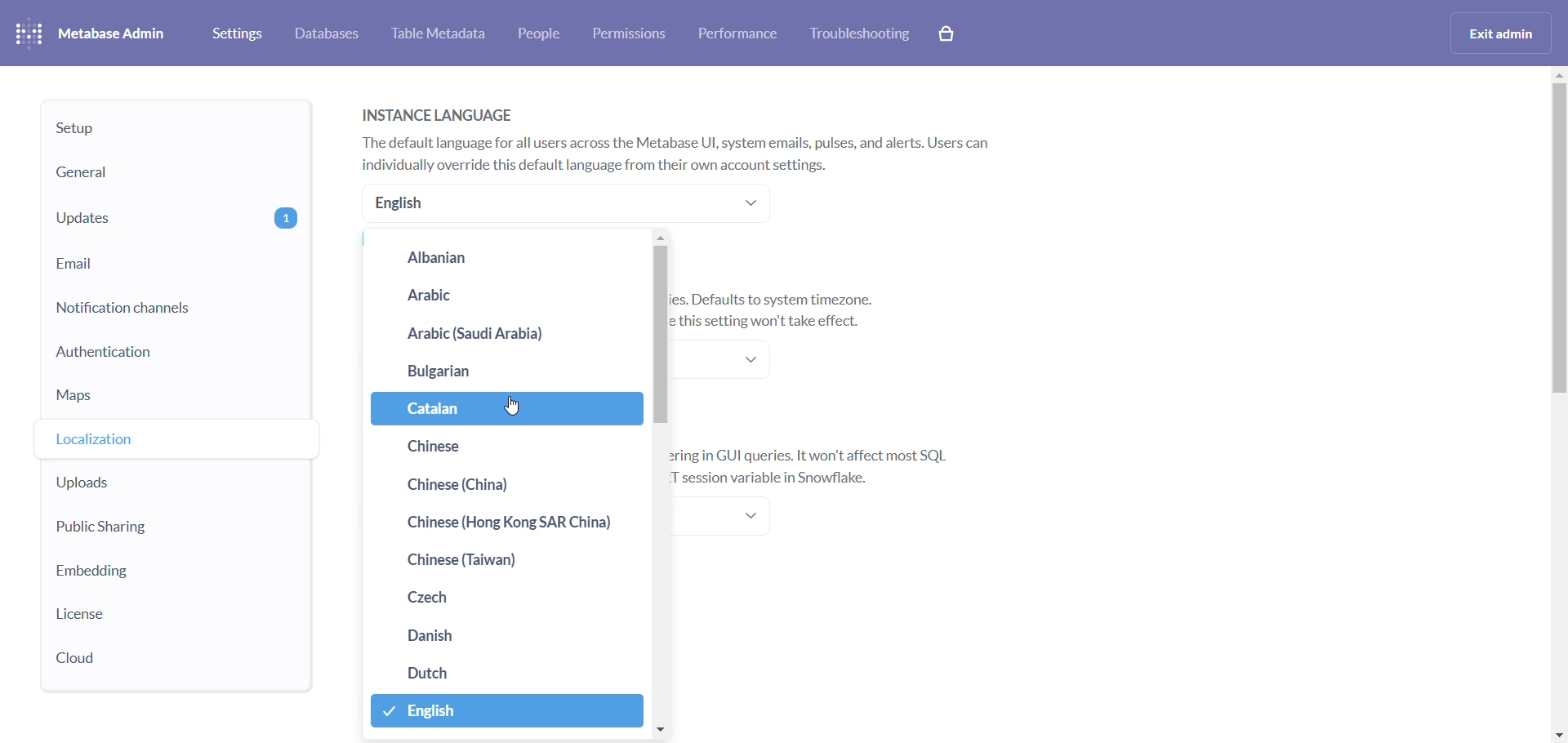 The image size is (1568, 743). Describe the element at coordinates (148, 132) in the screenshot. I see `setup` at that location.